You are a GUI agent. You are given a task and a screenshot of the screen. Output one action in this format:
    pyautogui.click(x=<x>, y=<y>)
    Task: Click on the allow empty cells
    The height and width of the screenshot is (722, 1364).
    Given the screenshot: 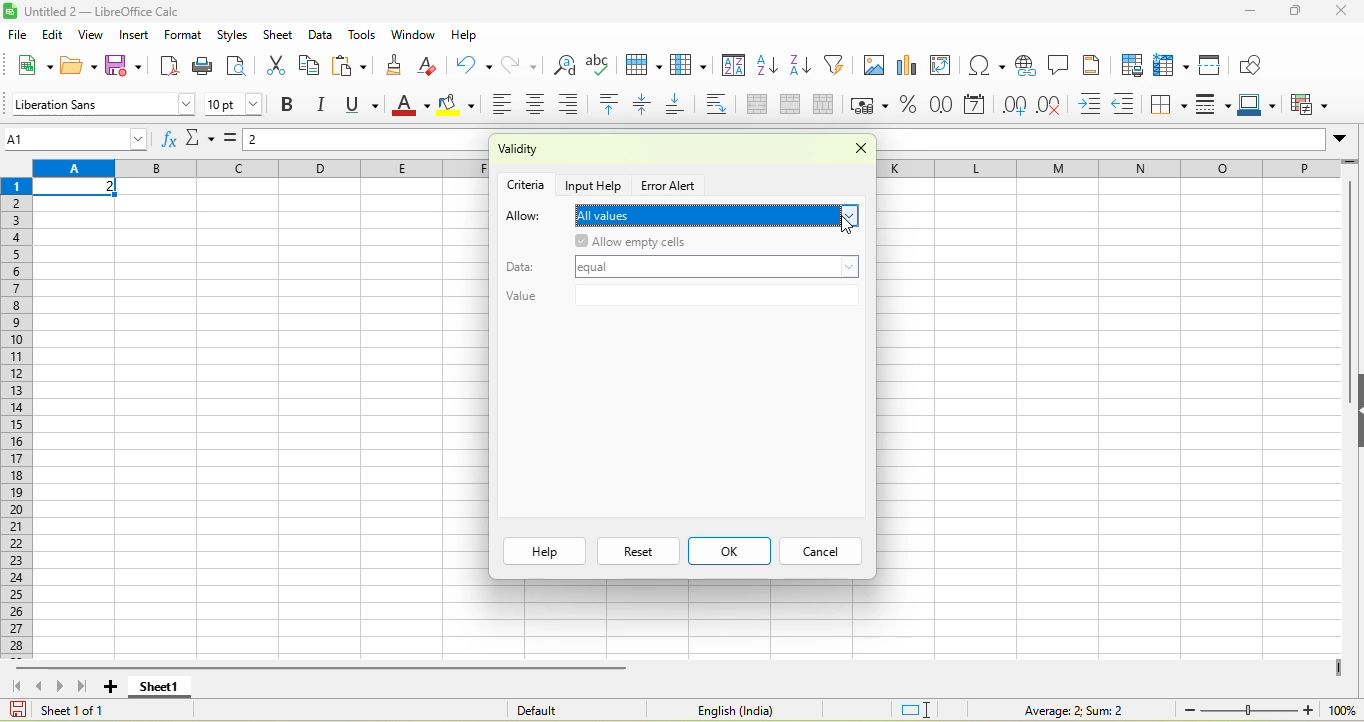 What is the action you would take?
    pyautogui.click(x=690, y=242)
    